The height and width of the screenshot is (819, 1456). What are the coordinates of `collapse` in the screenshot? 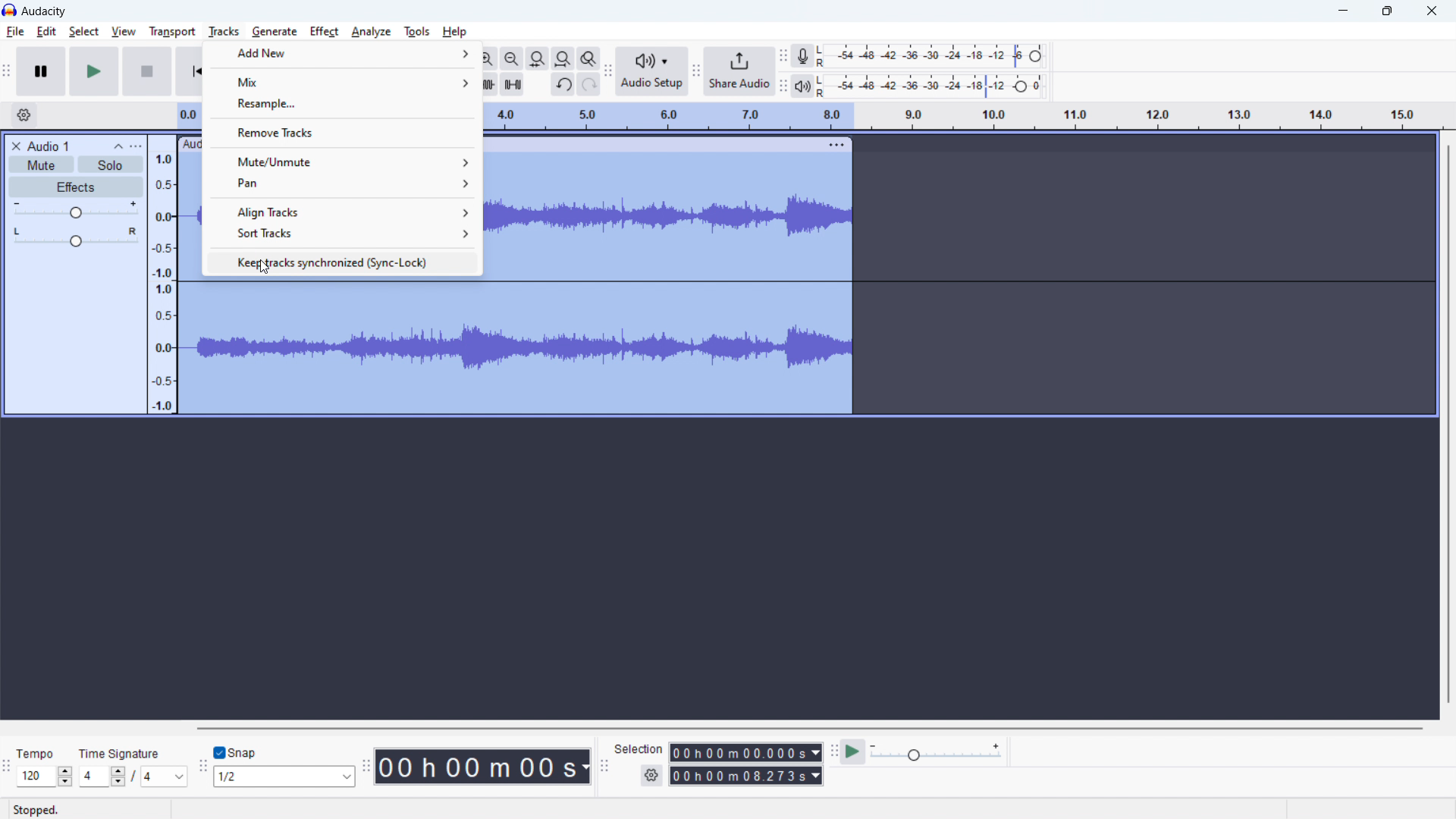 It's located at (118, 146).